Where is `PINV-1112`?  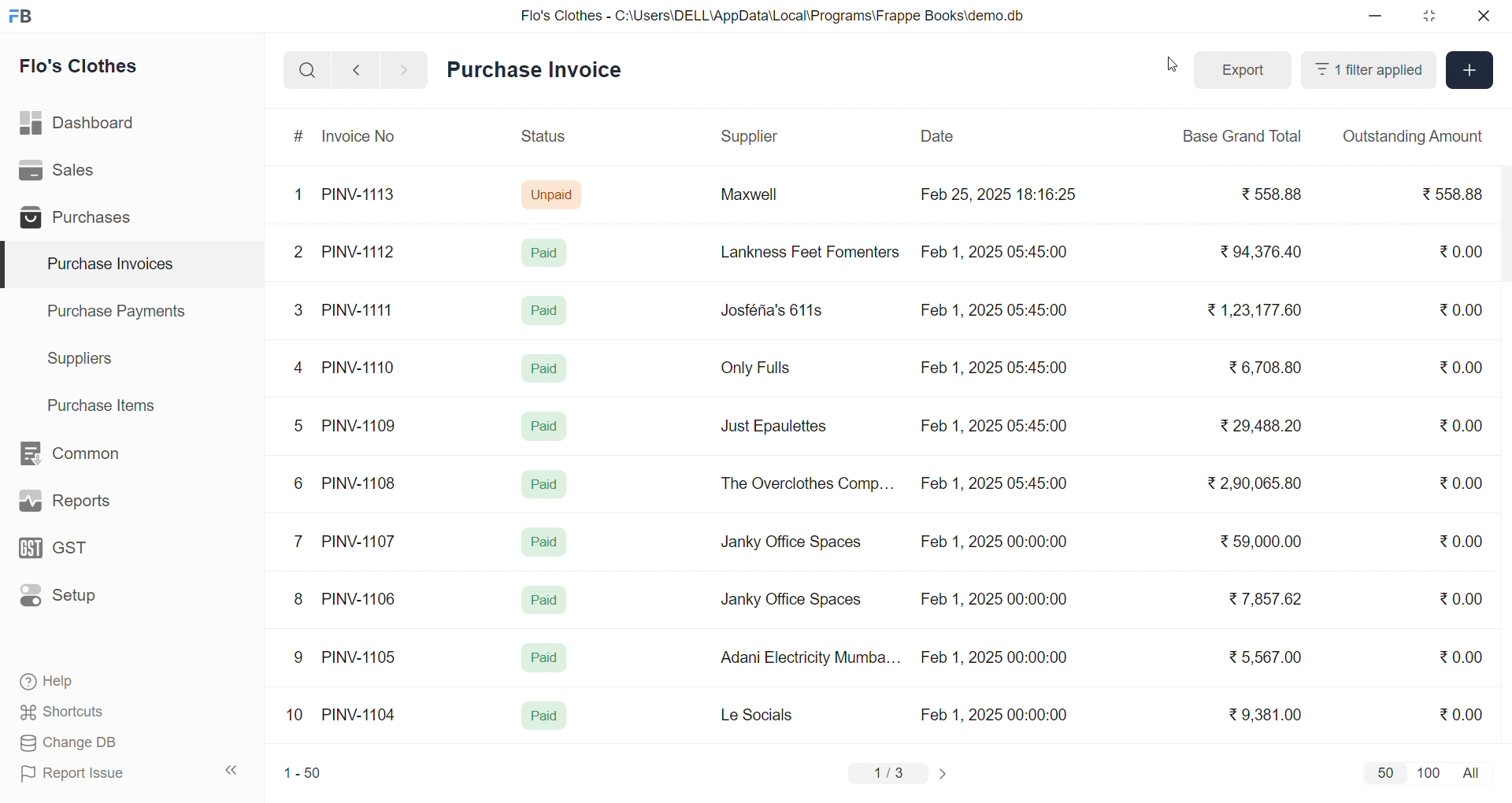 PINV-1112 is located at coordinates (358, 253).